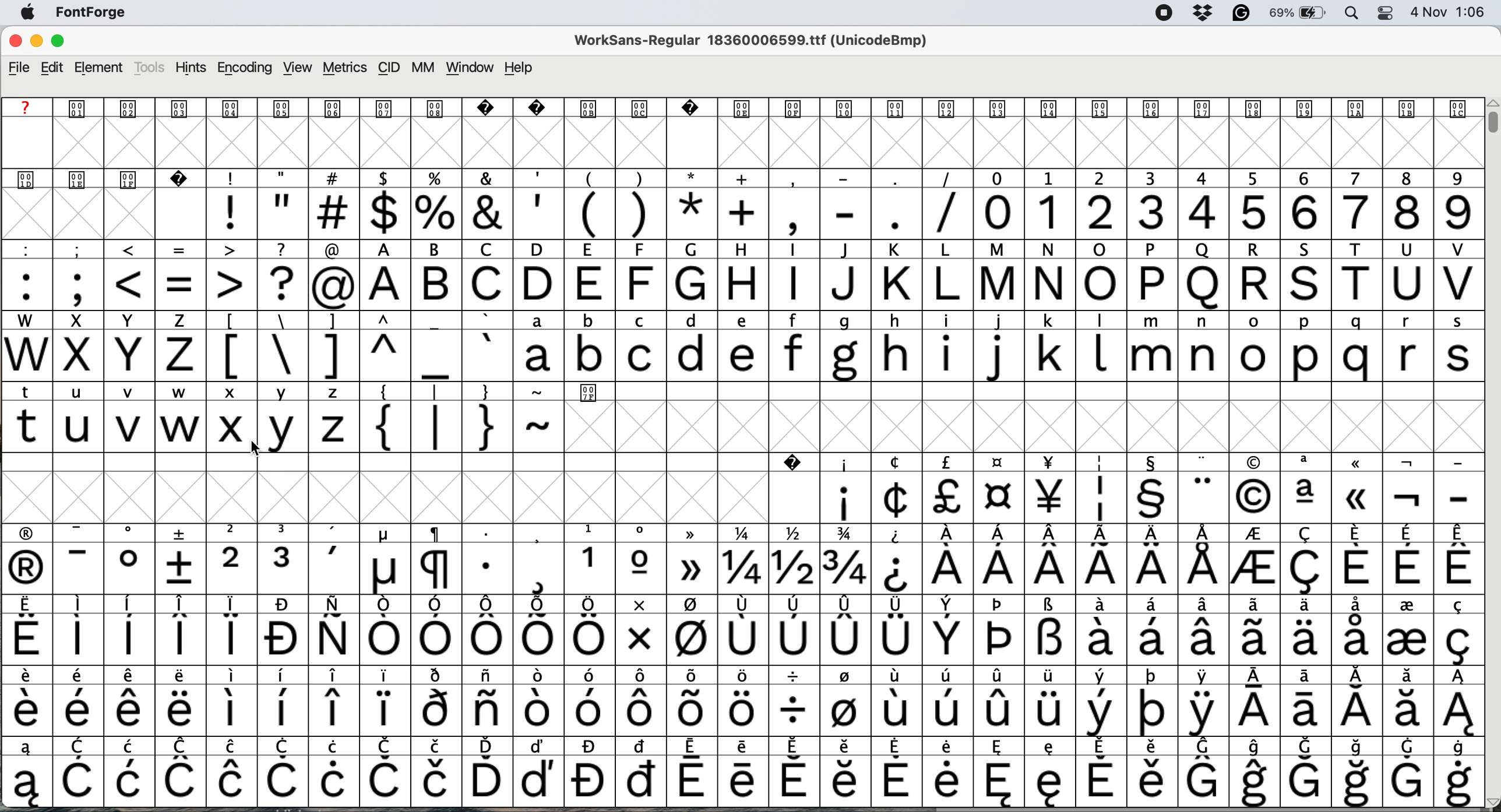  What do you see at coordinates (588, 213) in the screenshot?
I see `special characters` at bounding box center [588, 213].